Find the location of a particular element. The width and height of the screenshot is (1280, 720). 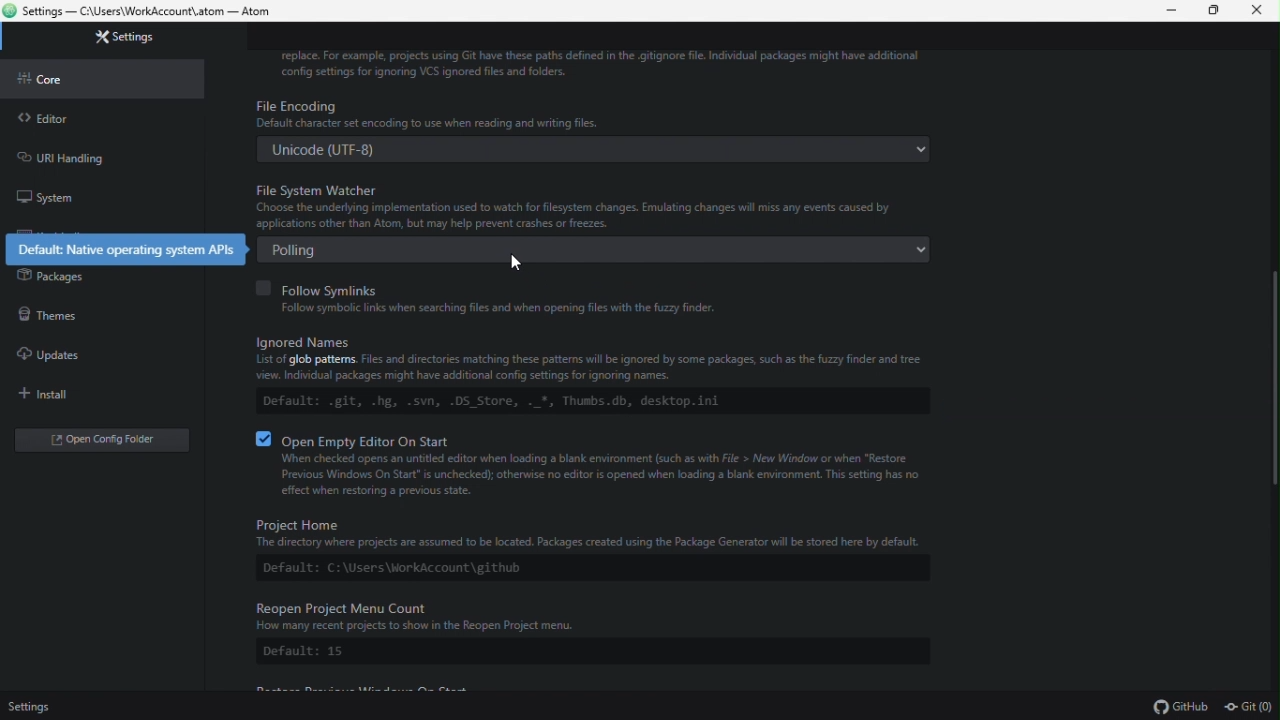

Polling is located at coordinates (599, 250).